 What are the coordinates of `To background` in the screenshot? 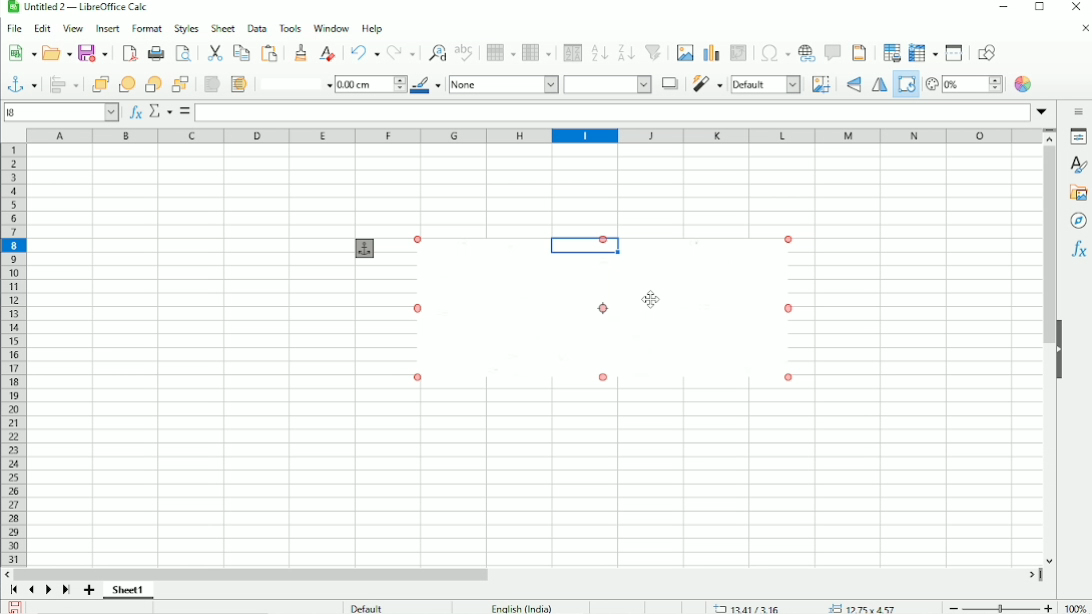 It's located at (238, 84).